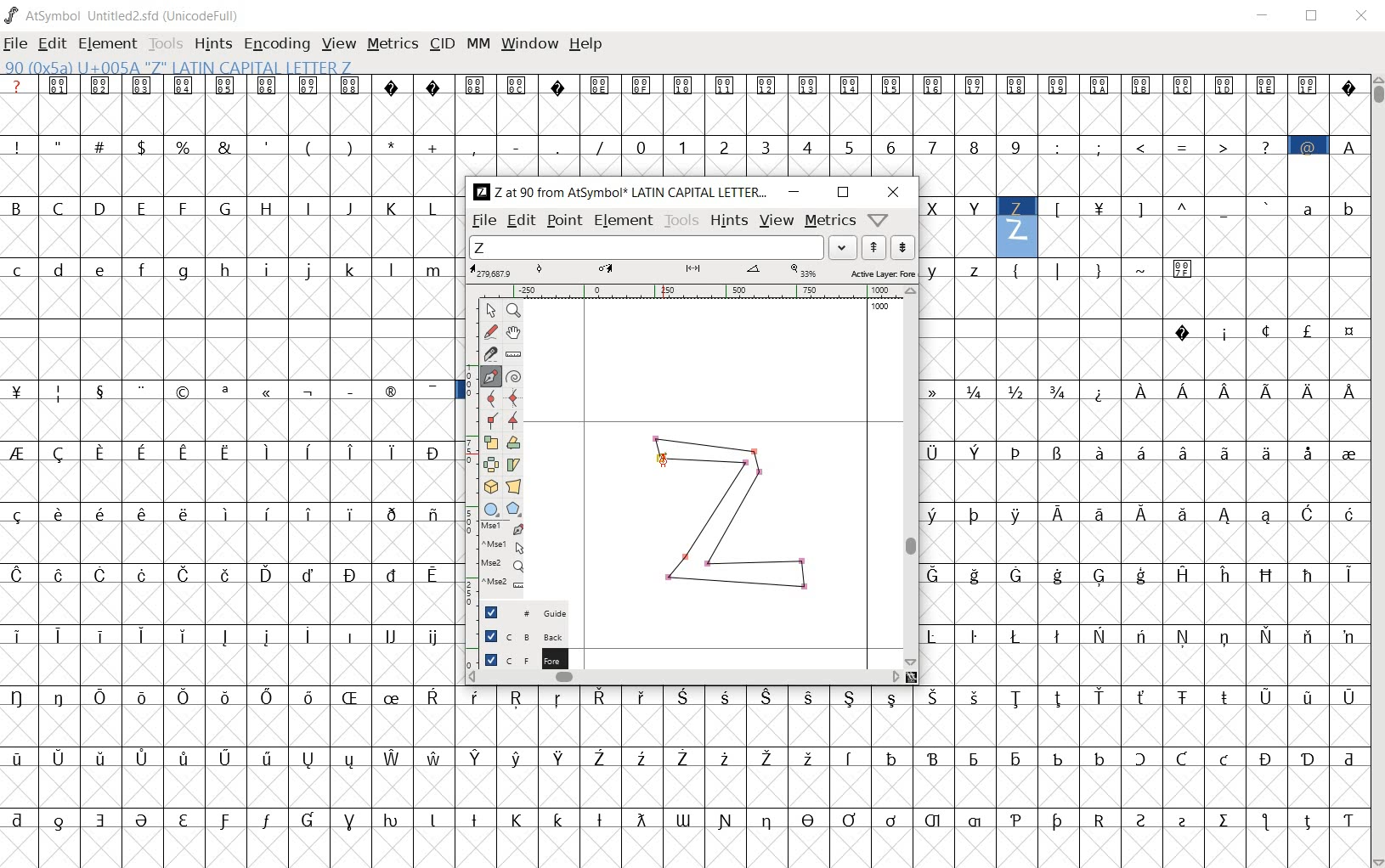 This screenshot has width=1385, height=868. Describe the element at coordinates (478, 43) in the screenshot. I see `mm` at that location.